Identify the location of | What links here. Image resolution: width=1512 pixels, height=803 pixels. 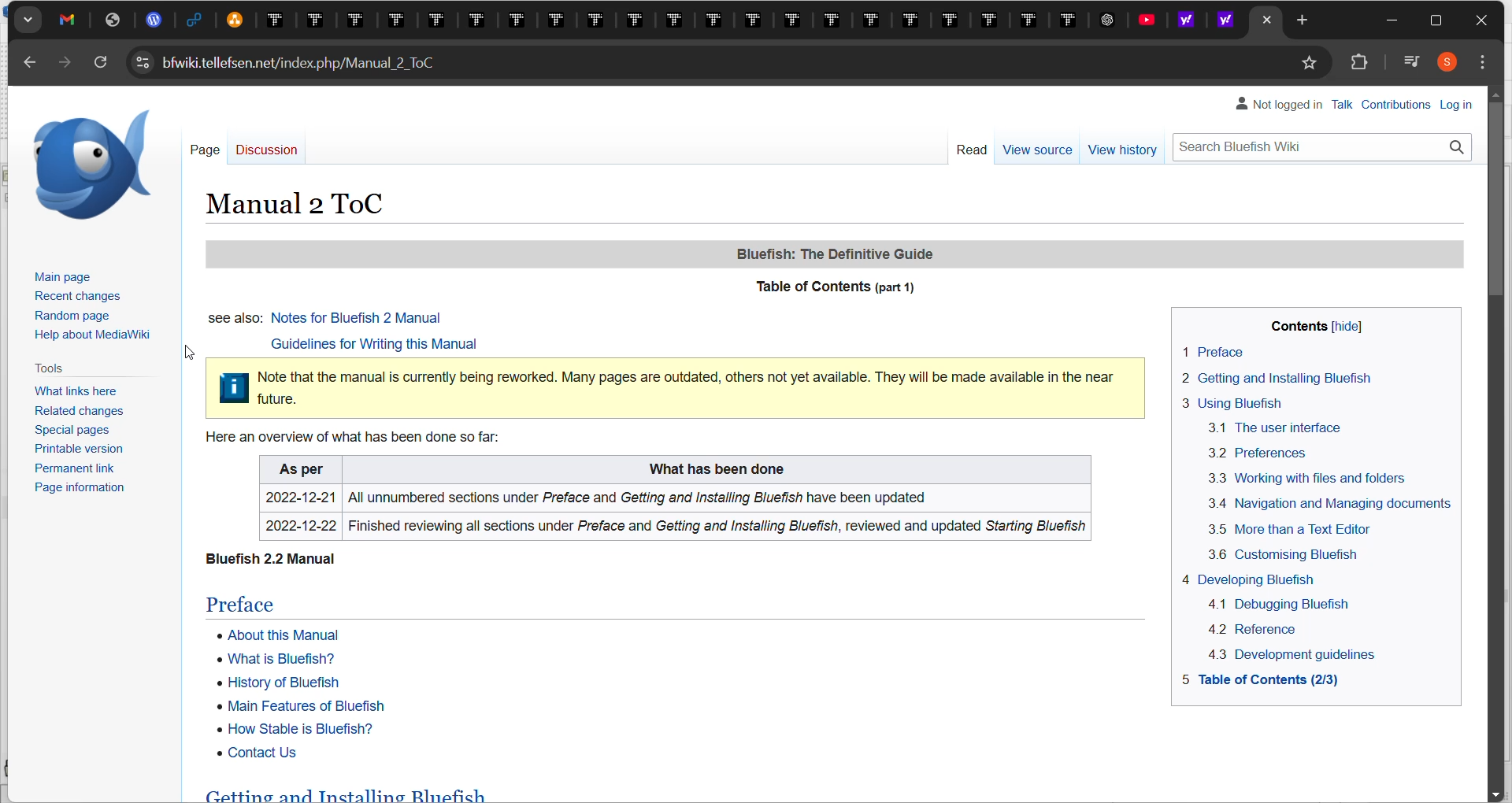
(67, 389).